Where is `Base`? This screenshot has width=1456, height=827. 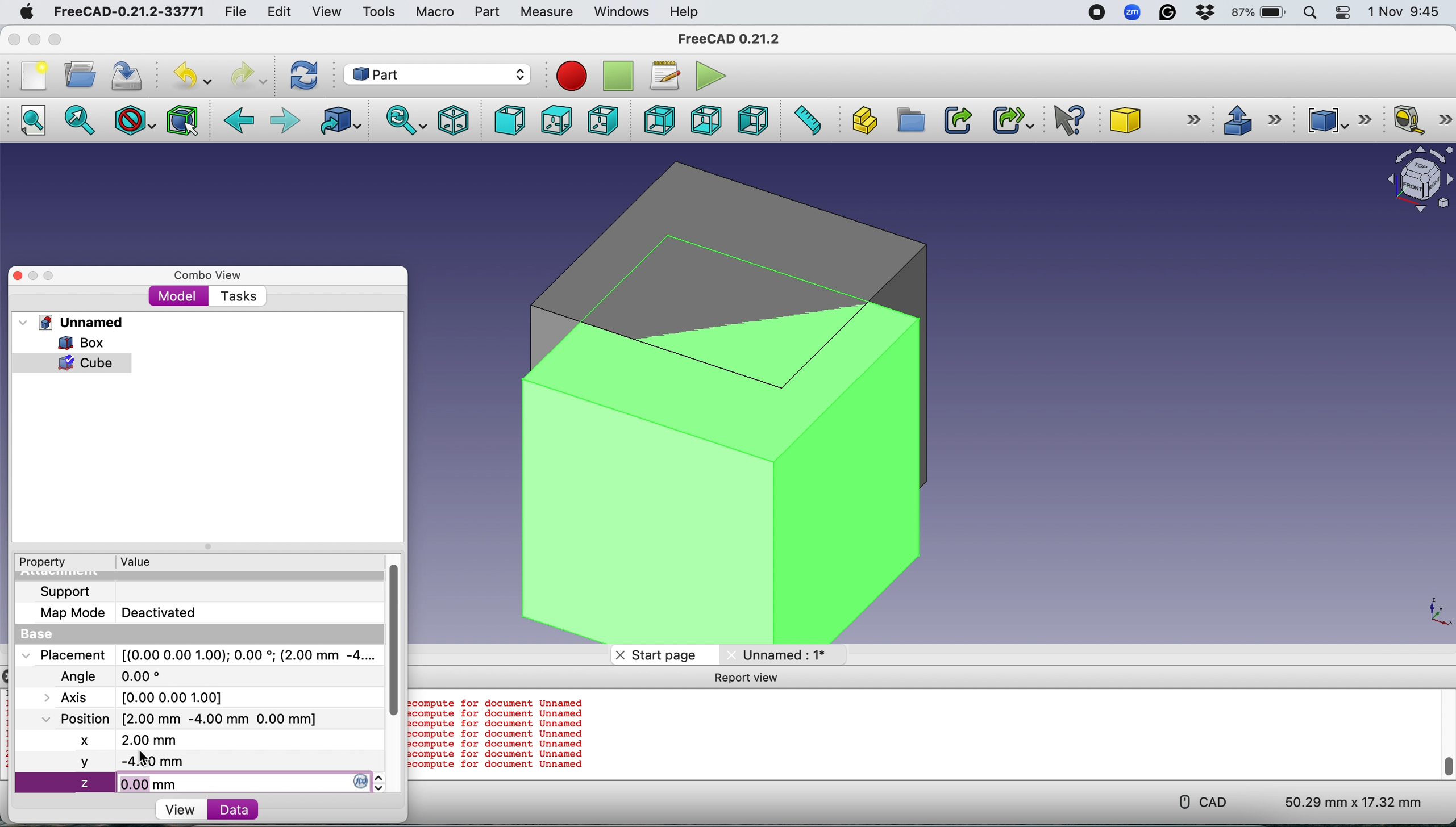 Base is located at coordinates (48, 634).